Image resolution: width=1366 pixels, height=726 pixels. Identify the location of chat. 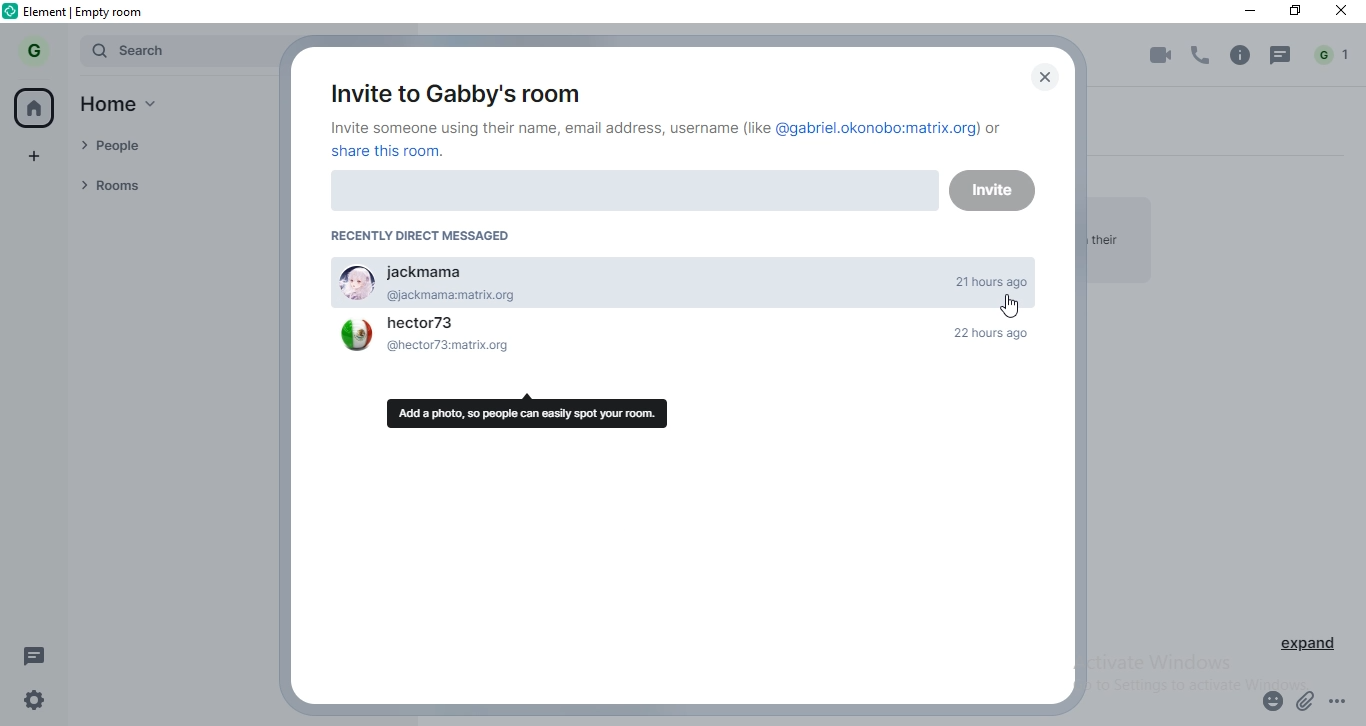
(1282, 56).